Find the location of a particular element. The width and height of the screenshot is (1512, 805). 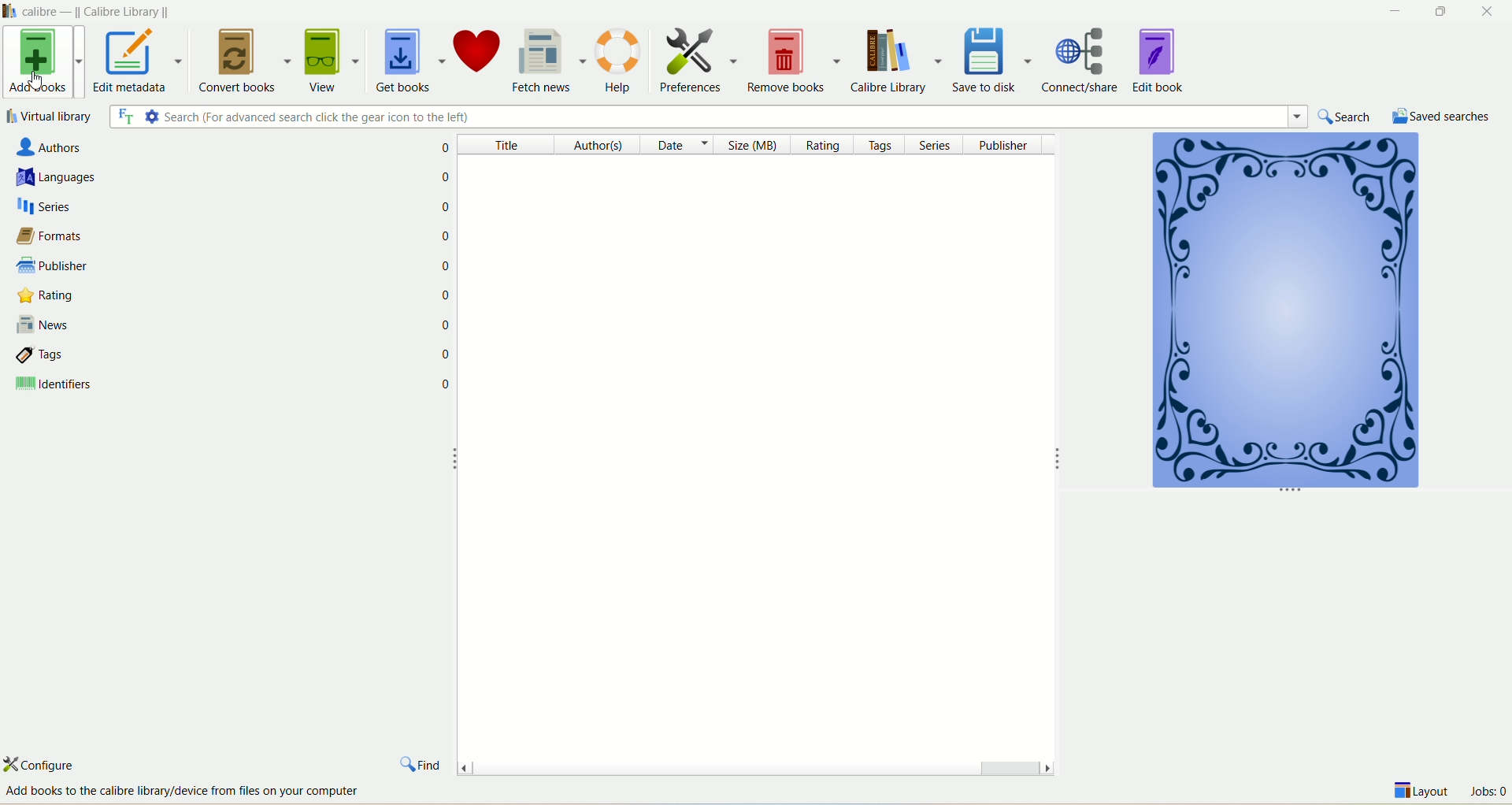

edit book is located at coordinates (1160, 59).